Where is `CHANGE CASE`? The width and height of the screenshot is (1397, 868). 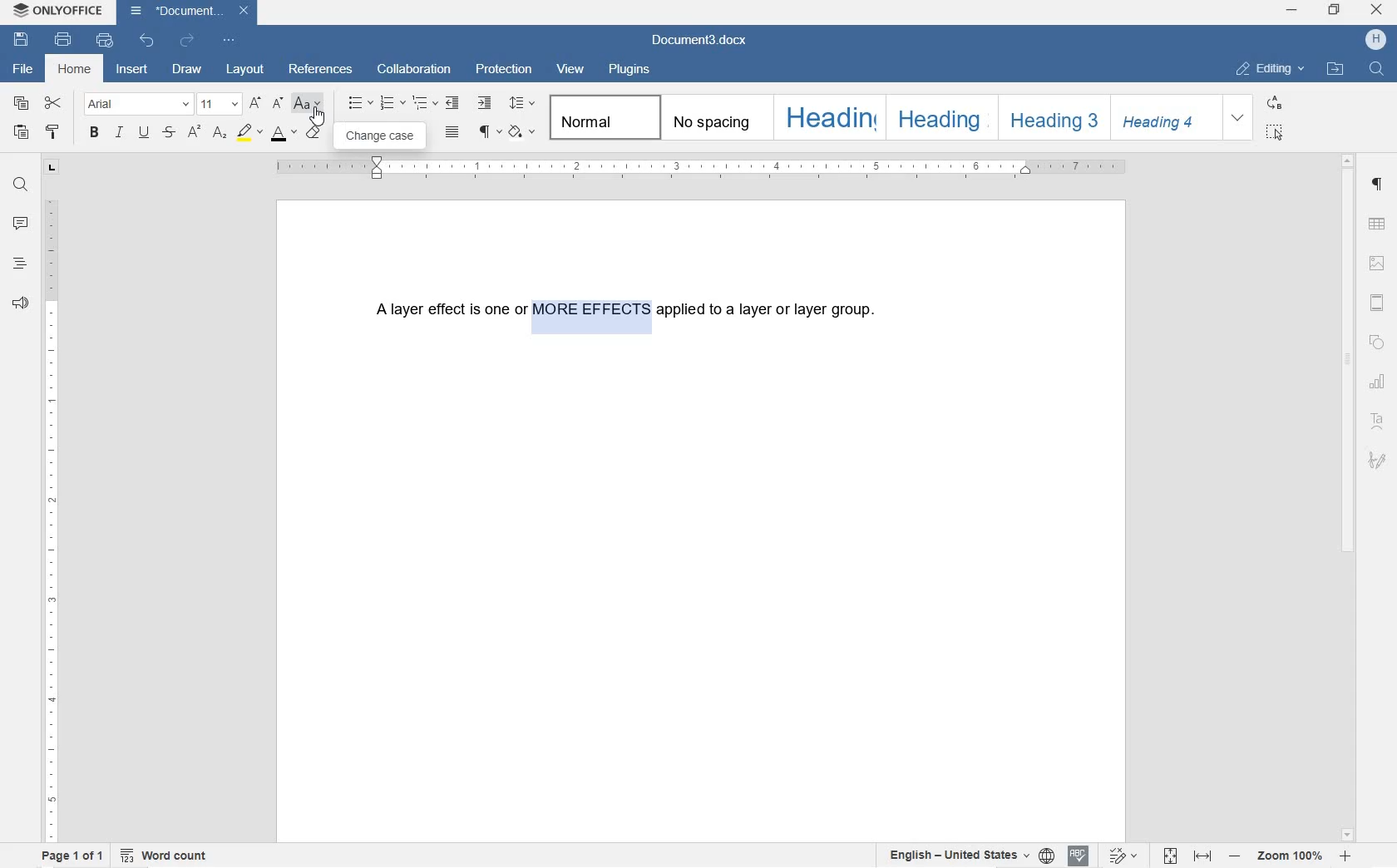
CHANGE CASE is located at coordinates (309, 104).